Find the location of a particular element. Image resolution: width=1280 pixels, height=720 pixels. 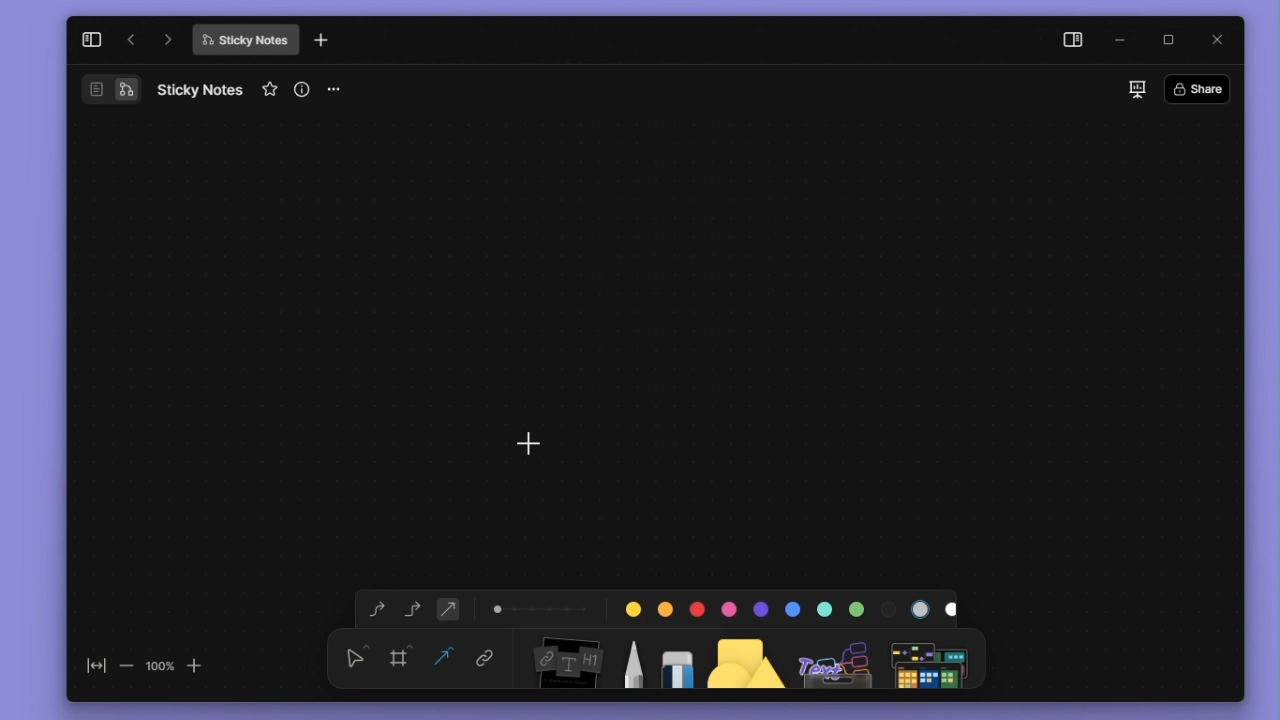

fit to screen is located at coordinates (90, 670).